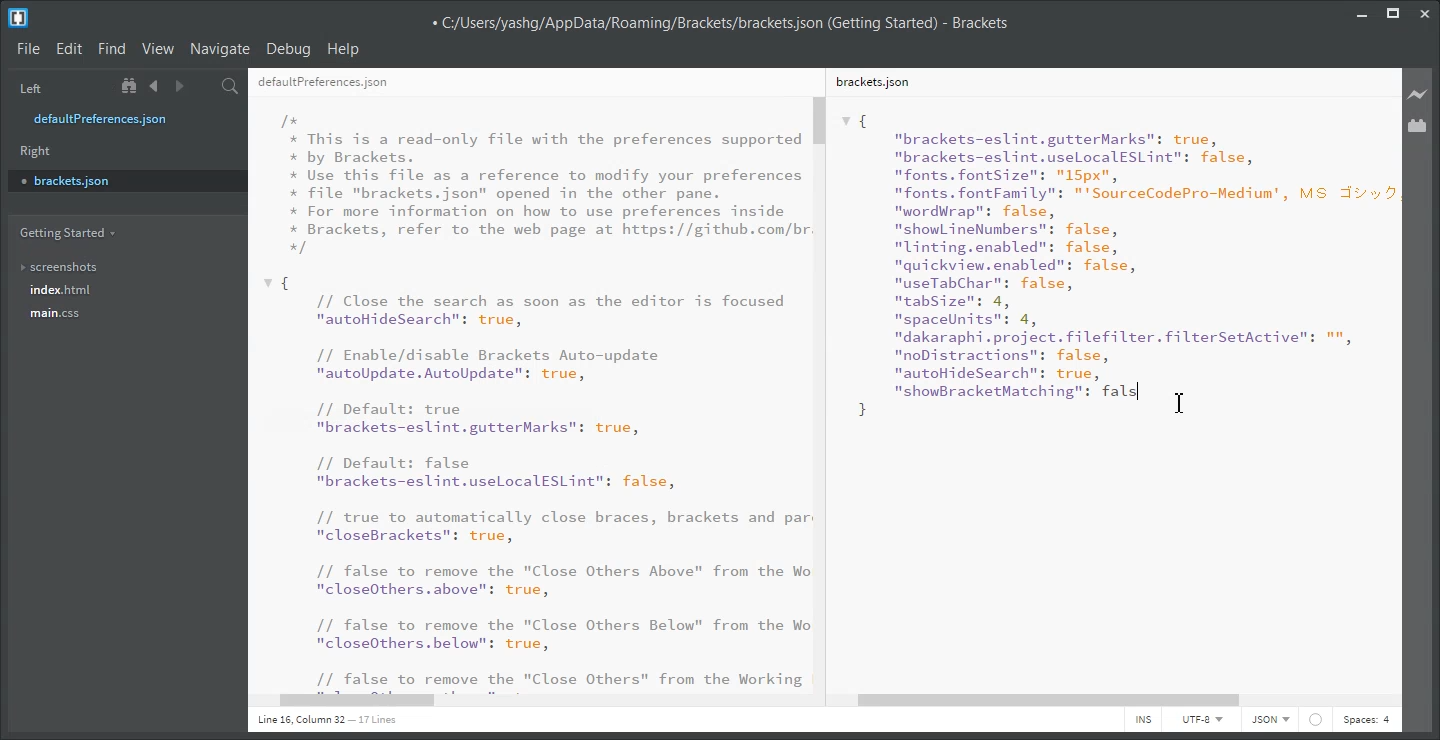 This screenshot has width=1440, height=740. What do you see at coordinates (1362, 11) in the screenshot?
I see `Minimize` at bounding box center [1362, 11].